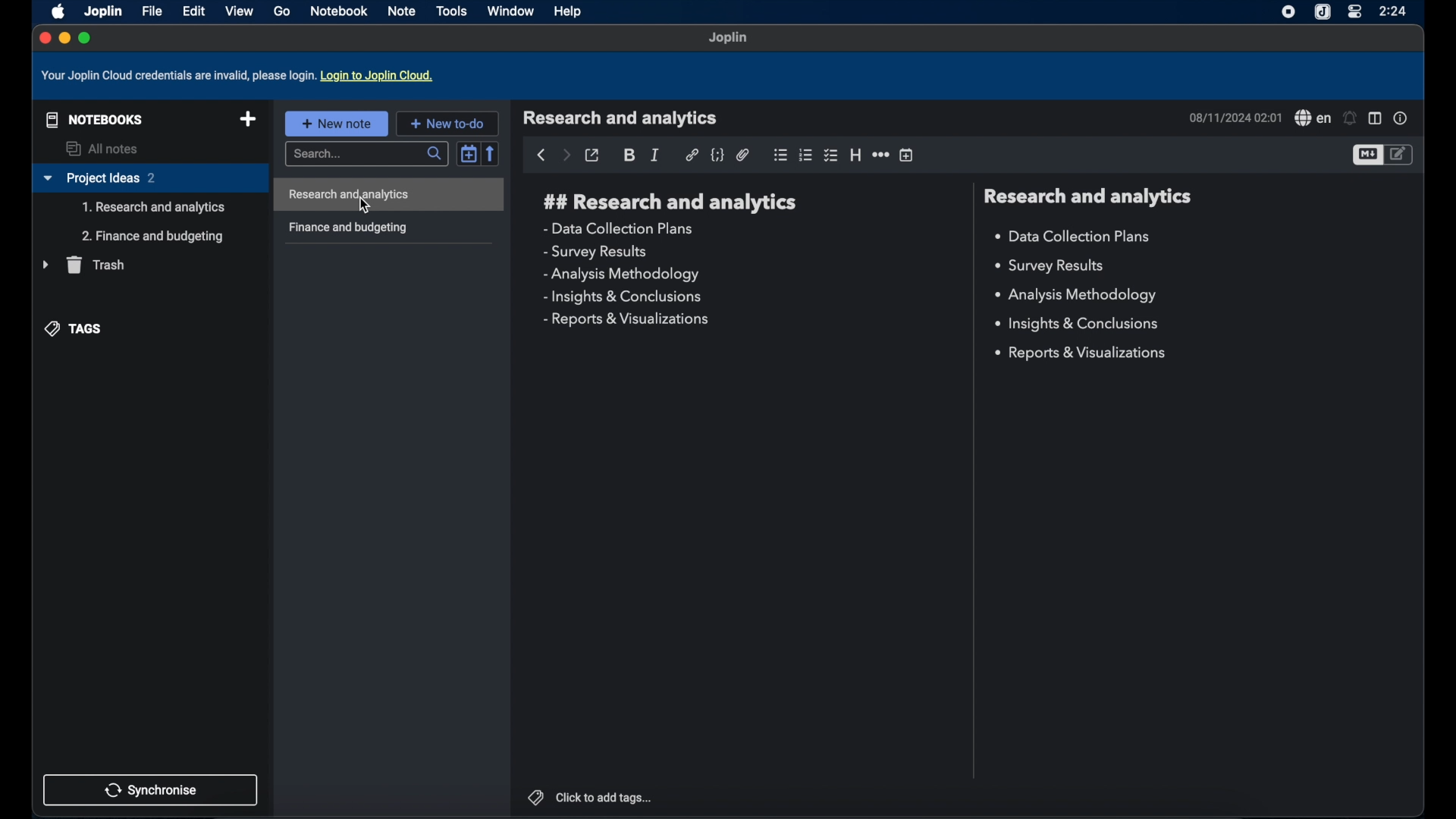  Describe the element at coordinates (452, 11) in the screenshot. I see `tools` at that location.